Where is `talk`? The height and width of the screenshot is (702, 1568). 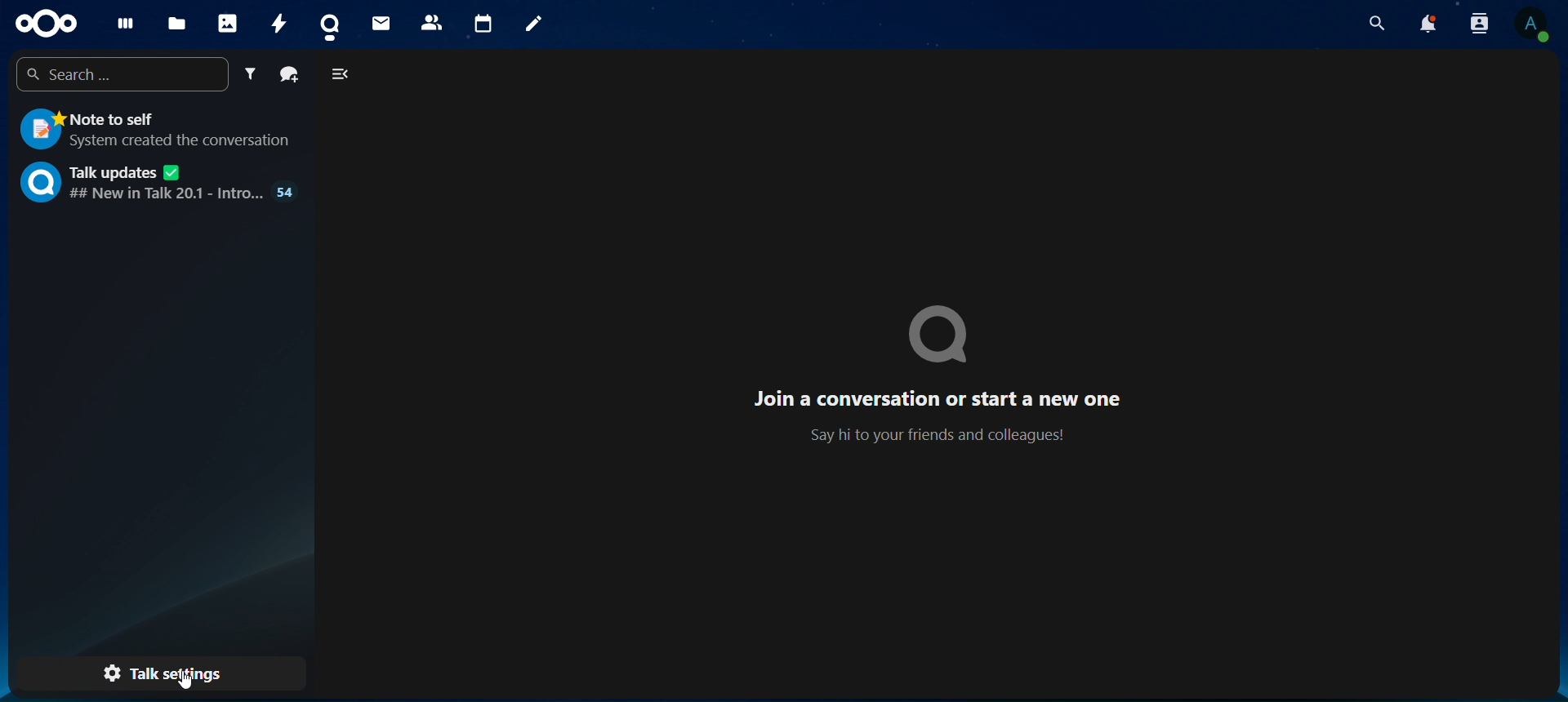
talk is located at coordinates (332, 21).